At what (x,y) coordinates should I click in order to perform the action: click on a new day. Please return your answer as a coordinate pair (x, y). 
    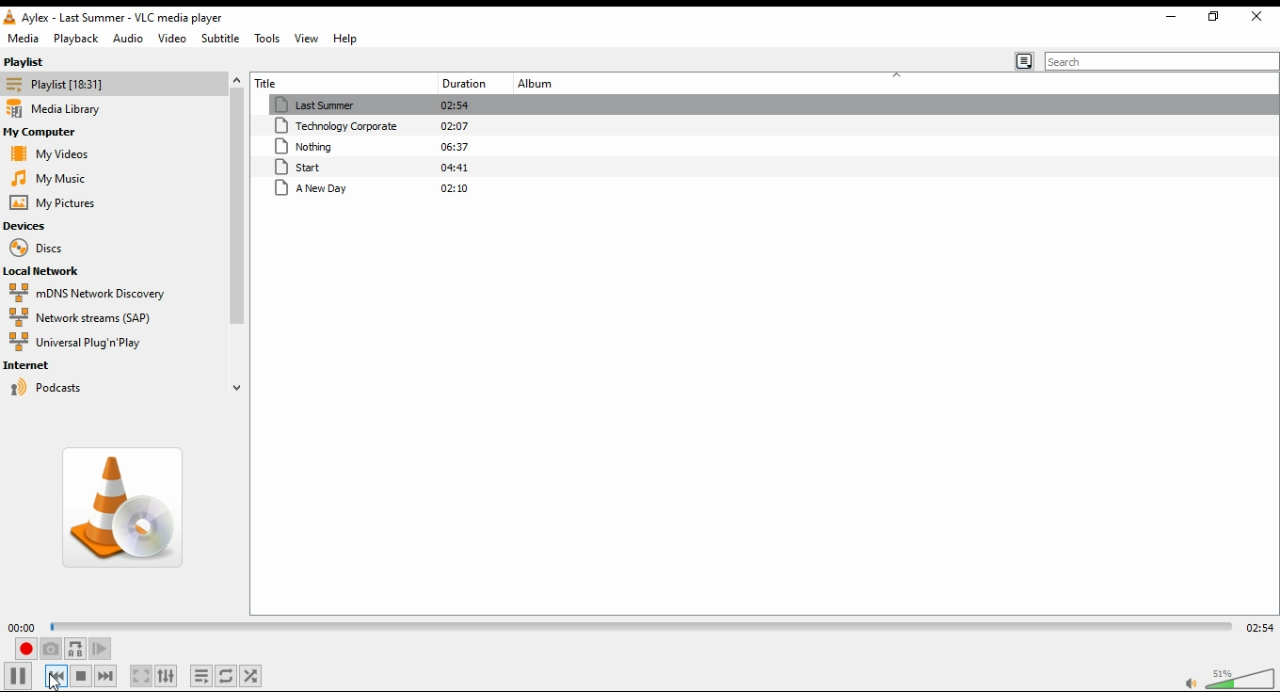
    Looking at the image, I should click on (339, 188).